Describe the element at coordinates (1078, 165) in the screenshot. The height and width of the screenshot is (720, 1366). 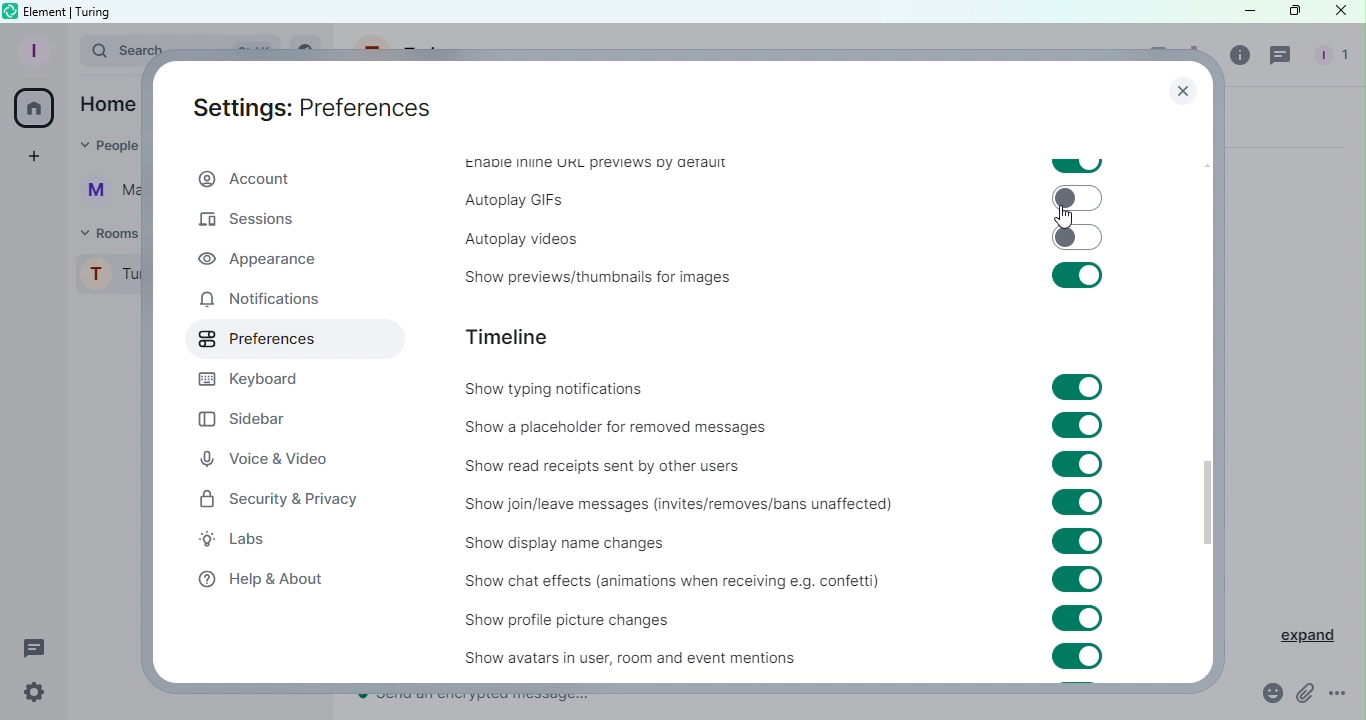
I see `Toggle` at that location.